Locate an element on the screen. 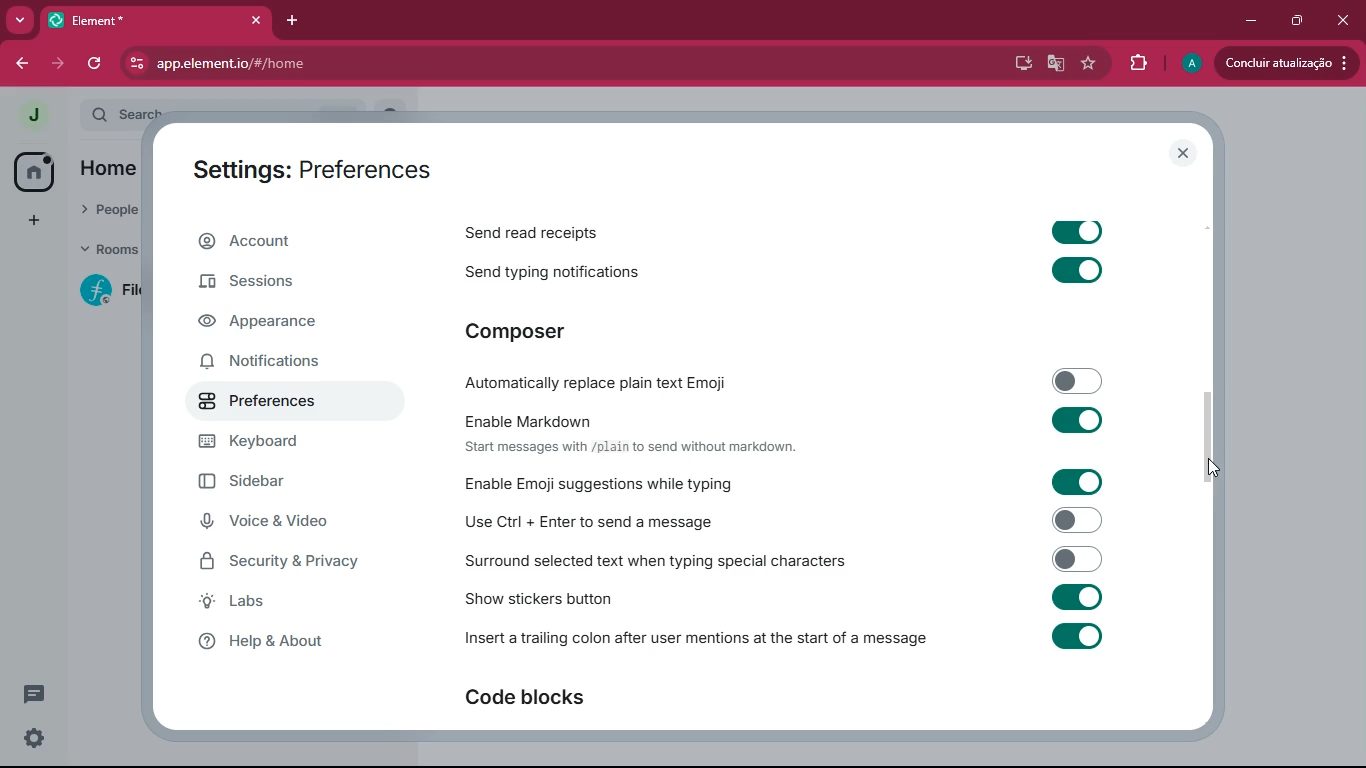 This screenshot has height=768, width=1366. google translate is located at coordinates (1055, 67).